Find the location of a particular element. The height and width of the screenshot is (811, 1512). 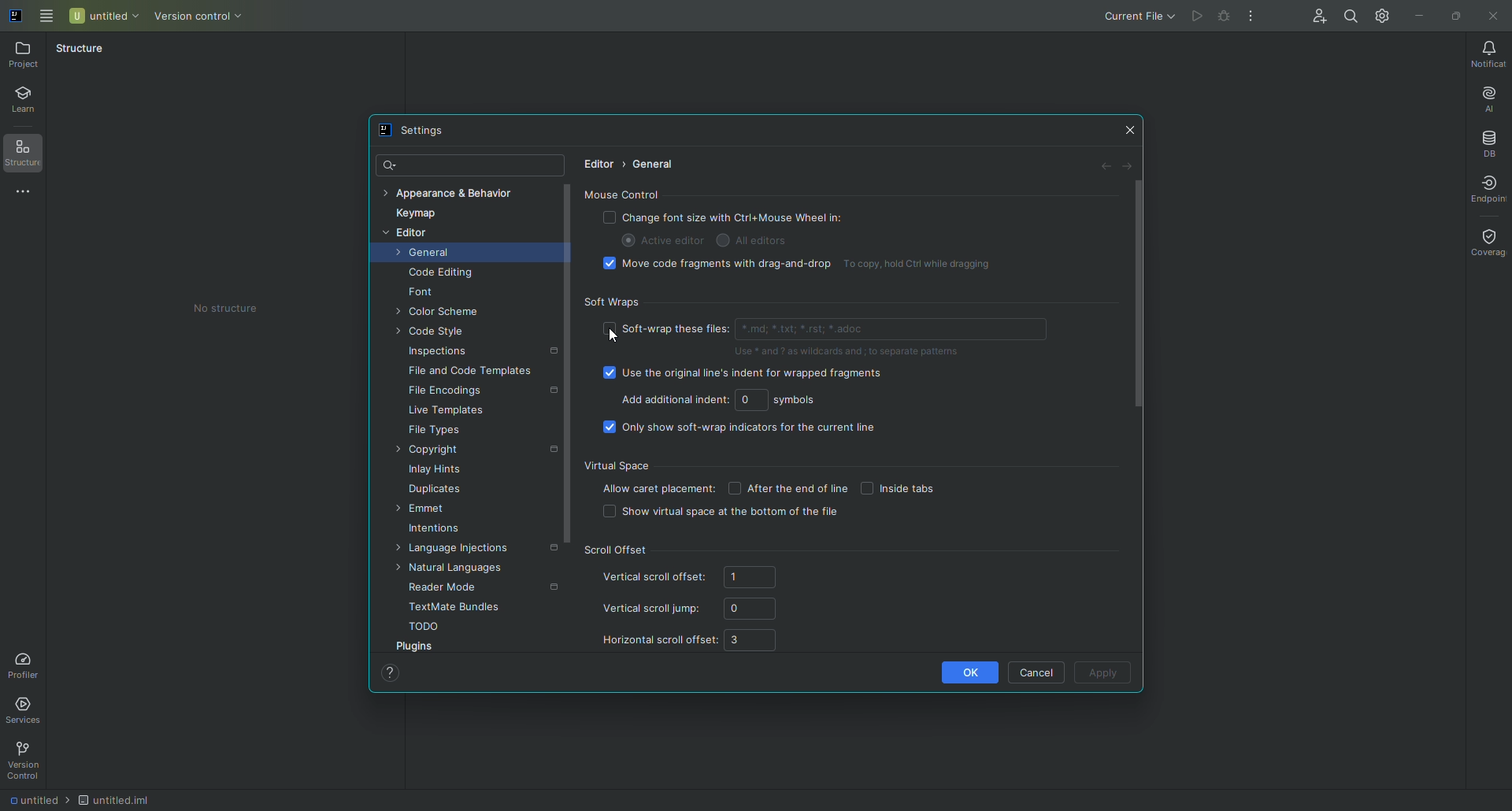

Previous is located at coordinates (1104, 168).